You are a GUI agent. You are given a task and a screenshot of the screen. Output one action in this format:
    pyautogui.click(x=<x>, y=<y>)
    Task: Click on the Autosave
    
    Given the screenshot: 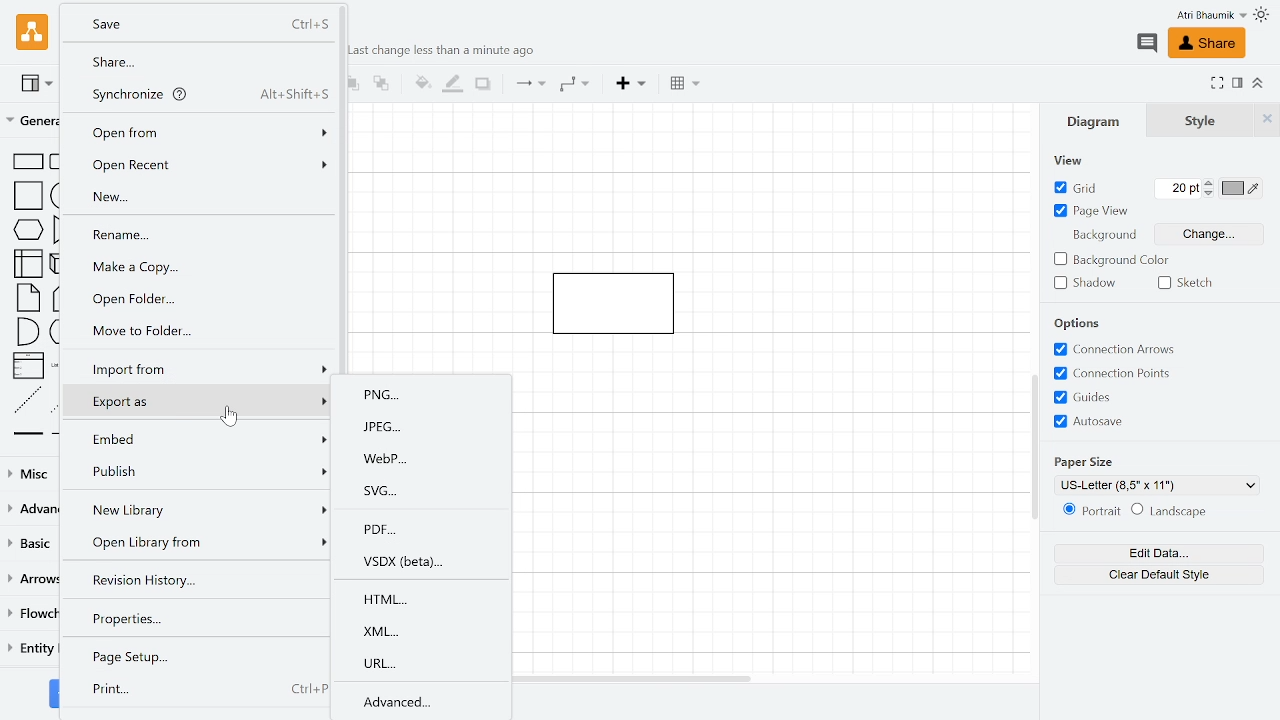 What is the action you would take?
    pyautogui.click(x=1122, y=423)
    